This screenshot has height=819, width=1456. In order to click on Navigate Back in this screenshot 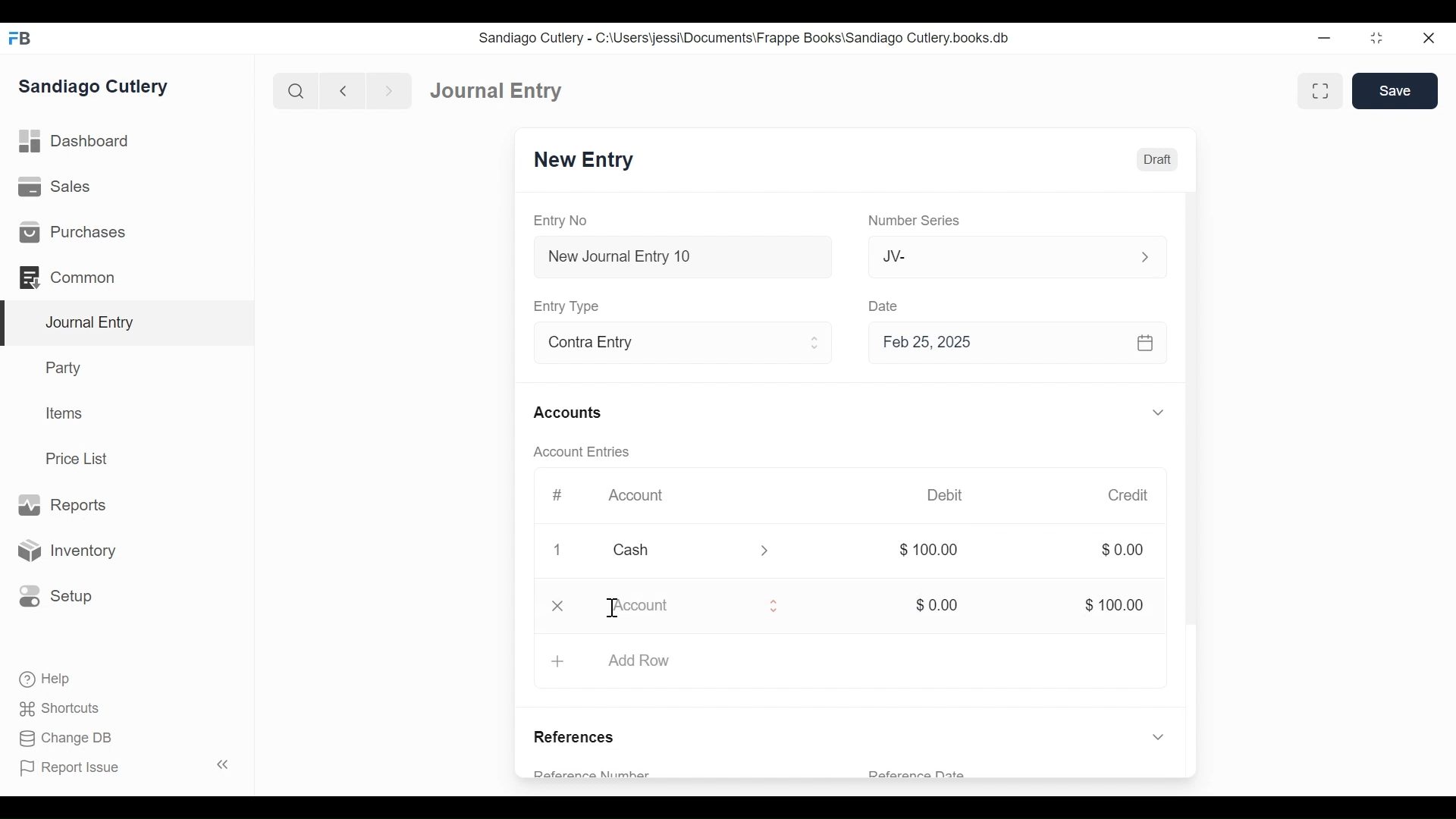, I will do `click(344, 91)`.